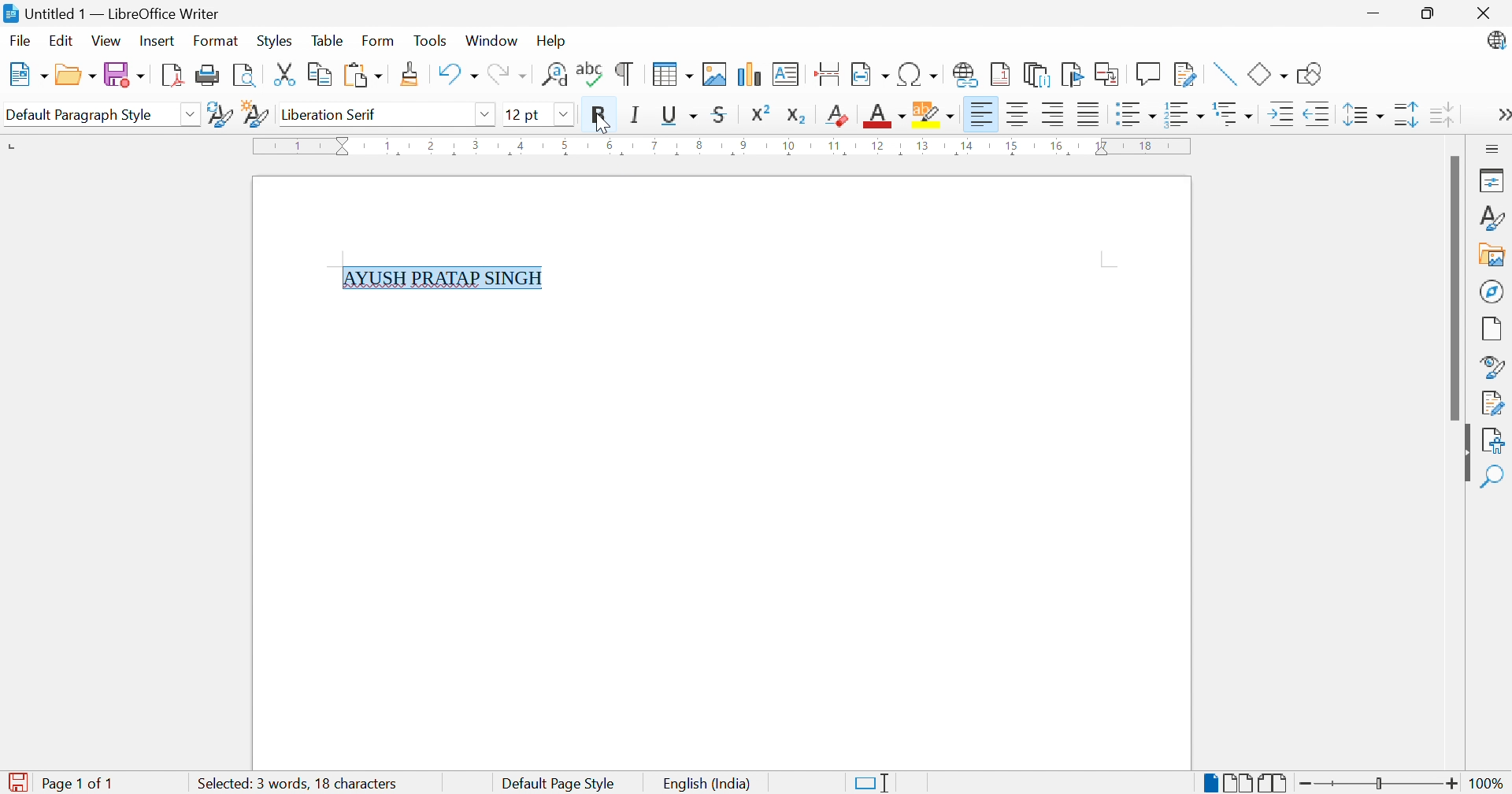 Image resolution: width=1512 pixels, height=794 pixels. I want to click on Multiple-page View, so click(1240, 781).